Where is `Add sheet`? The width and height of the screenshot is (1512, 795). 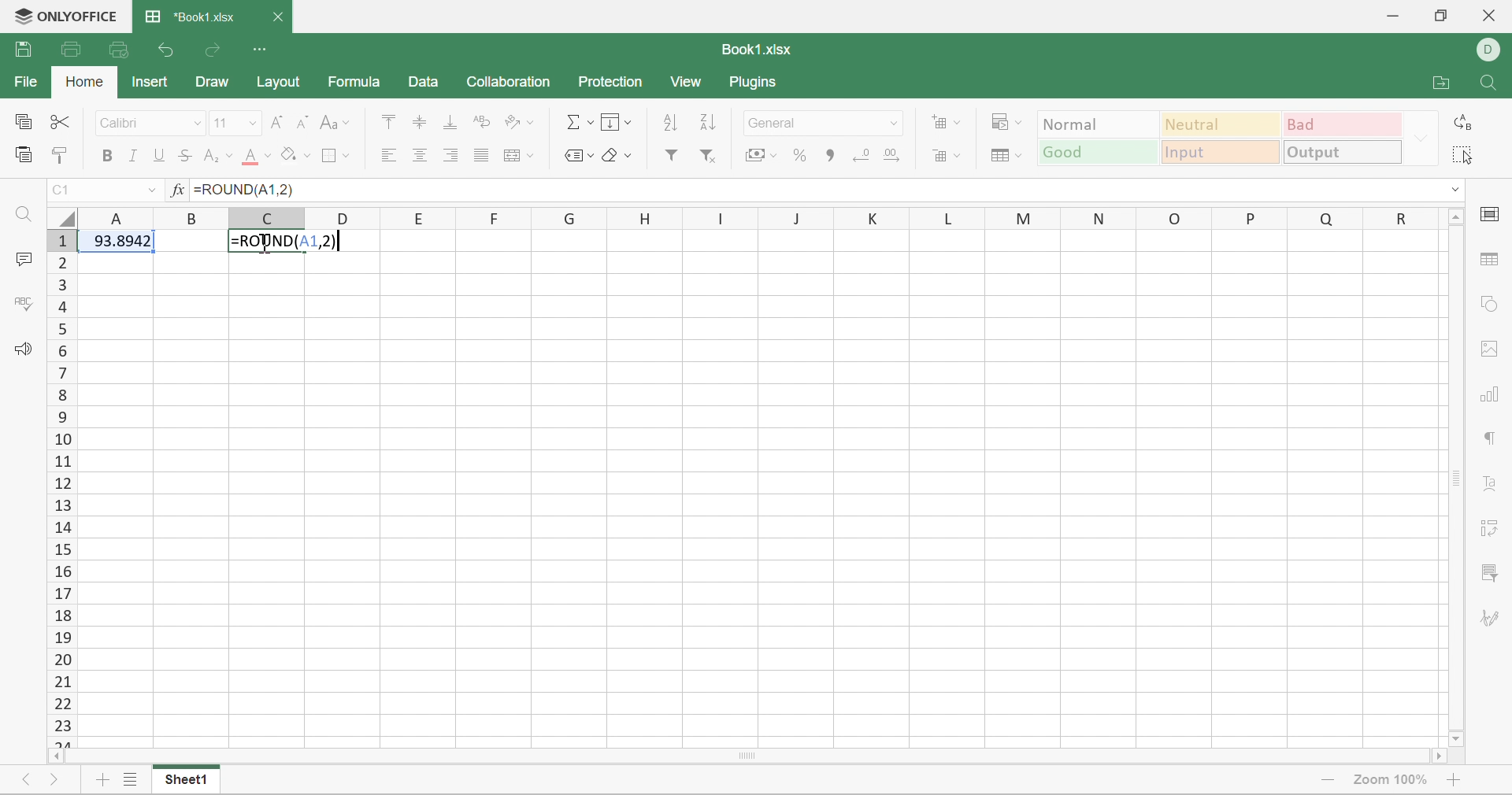 Add sheet is located at coordinates (98, 782).